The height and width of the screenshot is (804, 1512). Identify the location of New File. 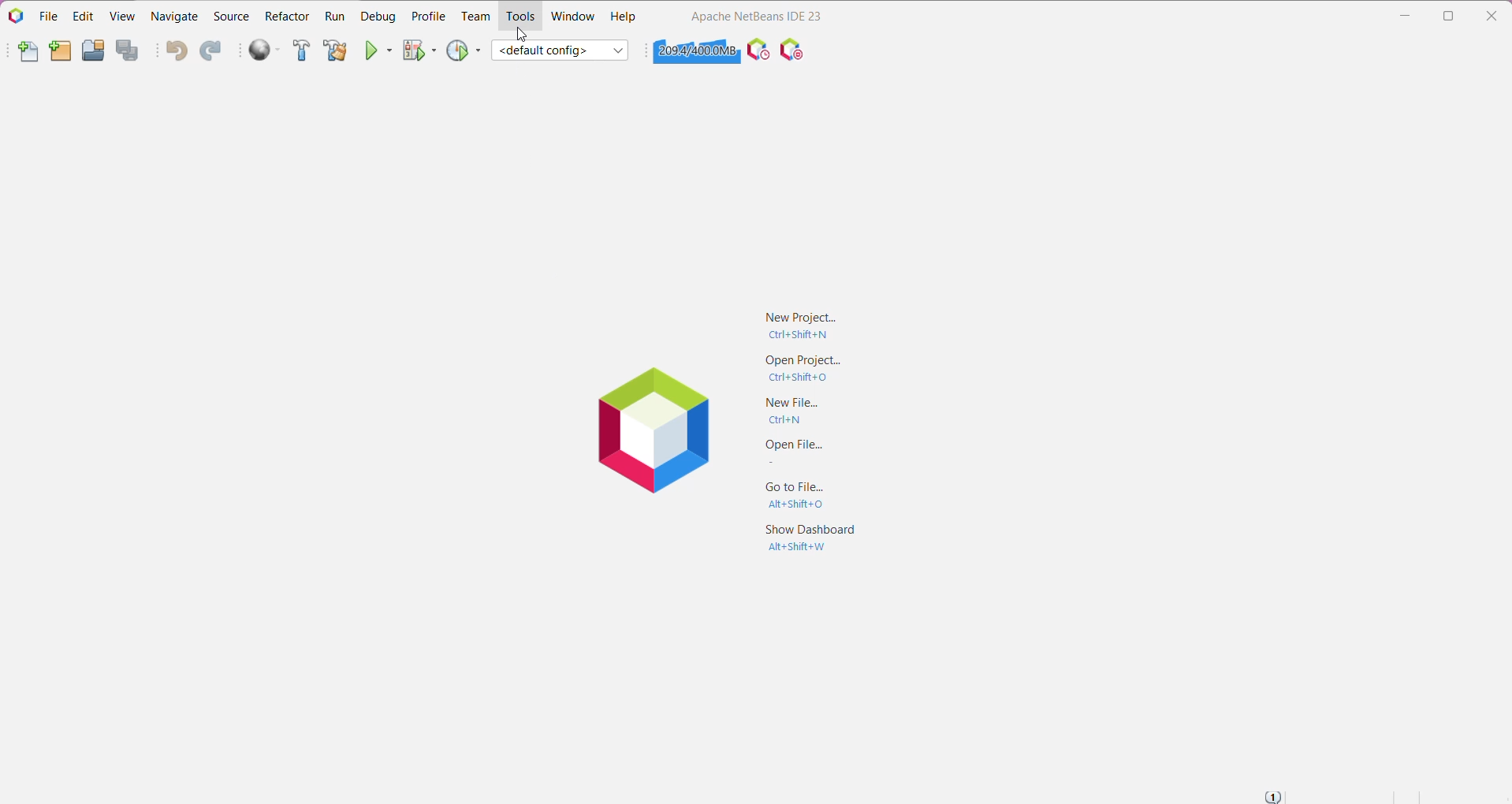
(28, 54).